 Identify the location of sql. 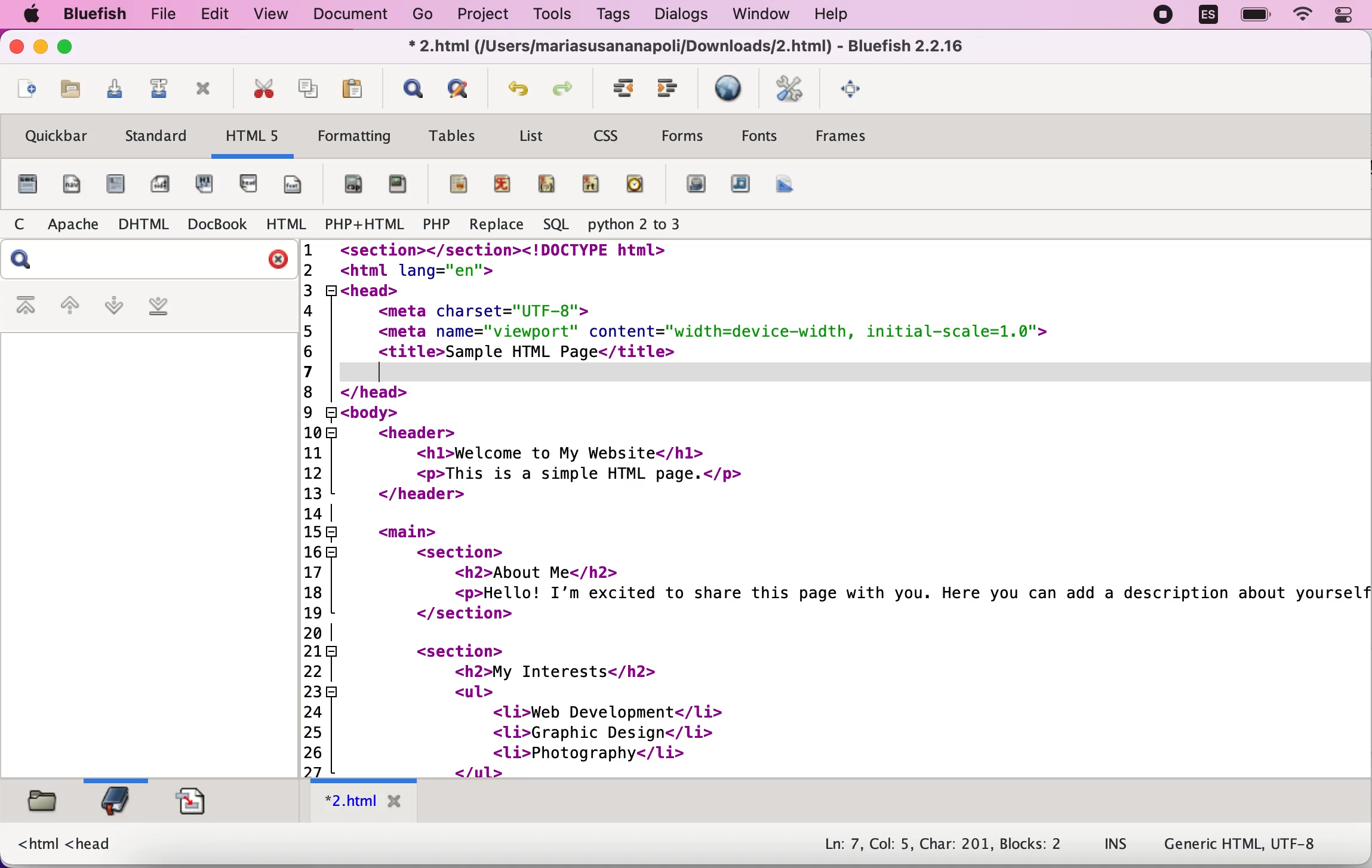
(556, 225).